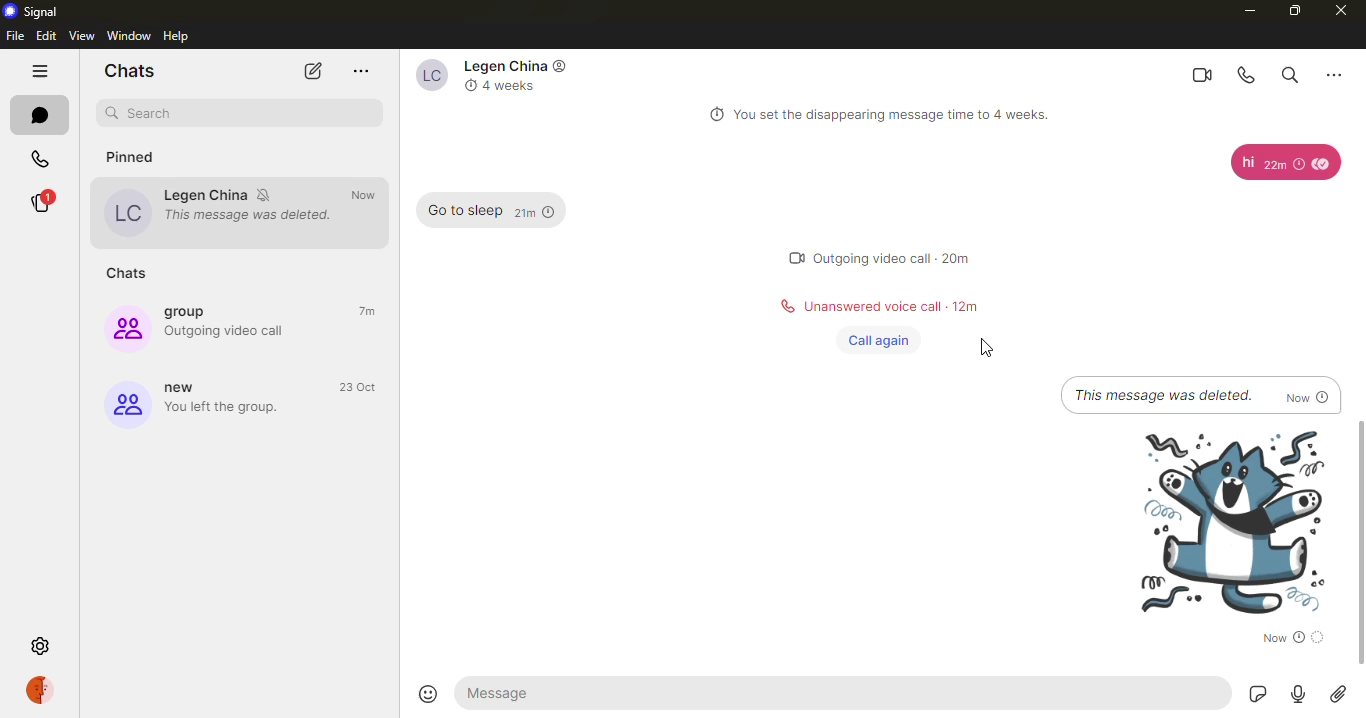 The width and height of the screenshot is (1366, 718). Describe the element at coordinates (357, 386) in the screenshot. I see `23 oct` at that location.